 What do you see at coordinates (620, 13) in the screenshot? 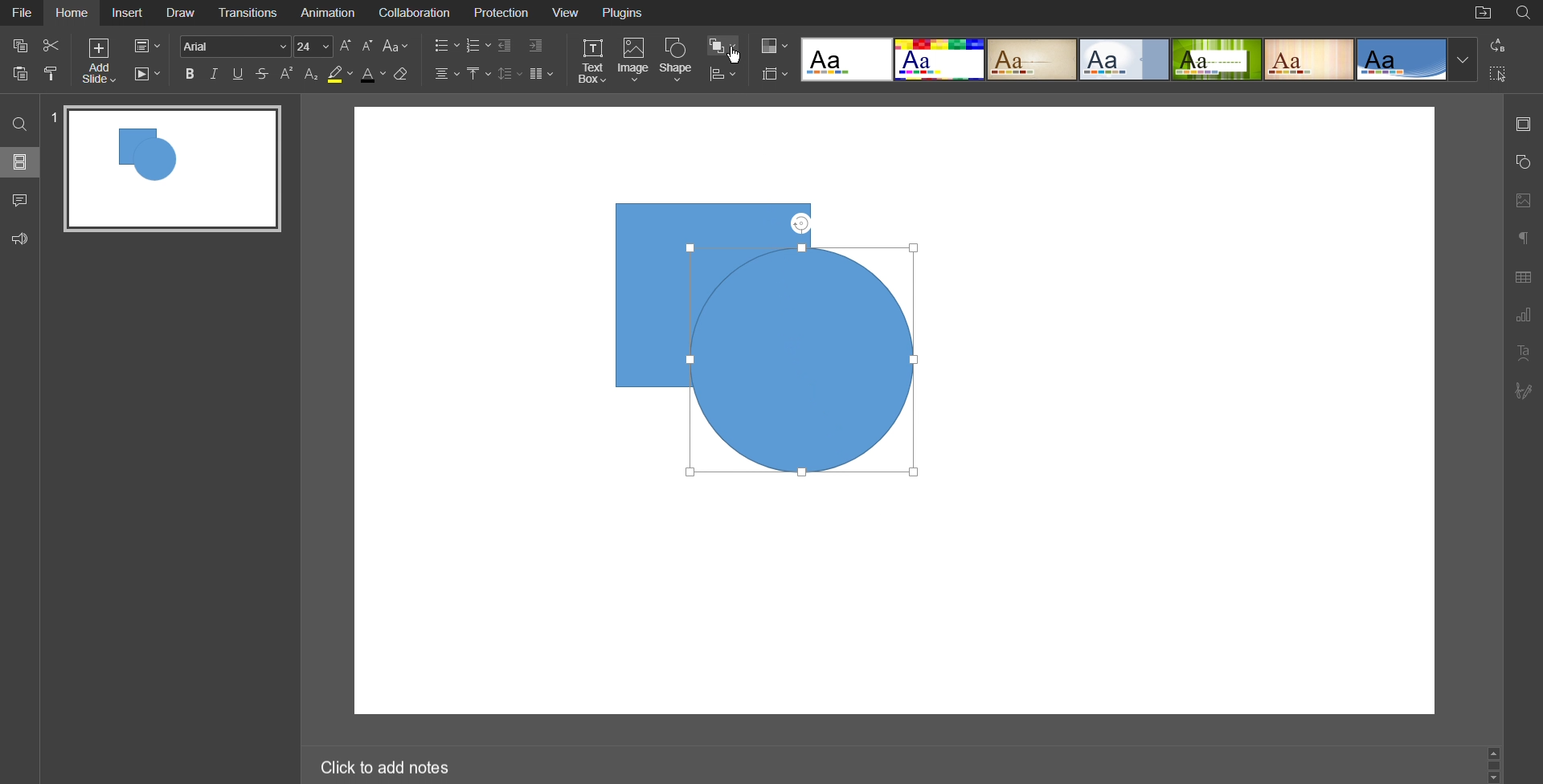
I see `Plugins` at bounding box center [620, 13].